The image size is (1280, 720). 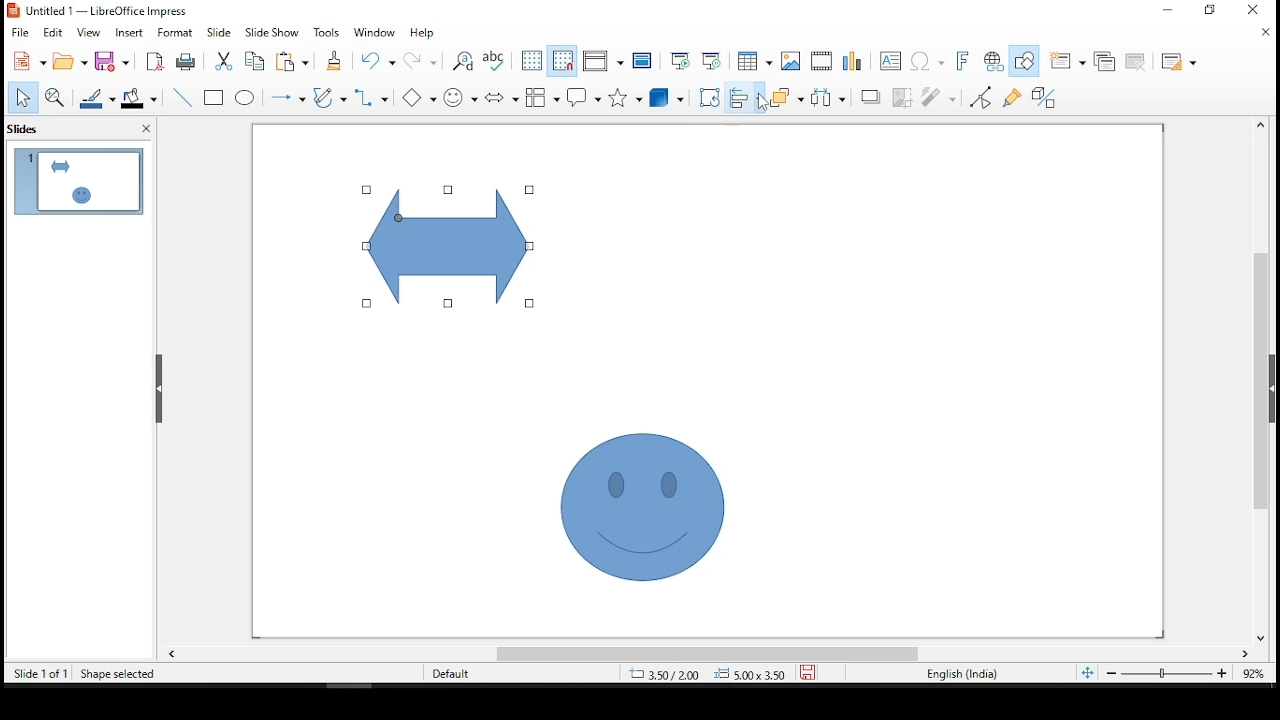 I want to click on ellipse, so click(x=247, y=100).